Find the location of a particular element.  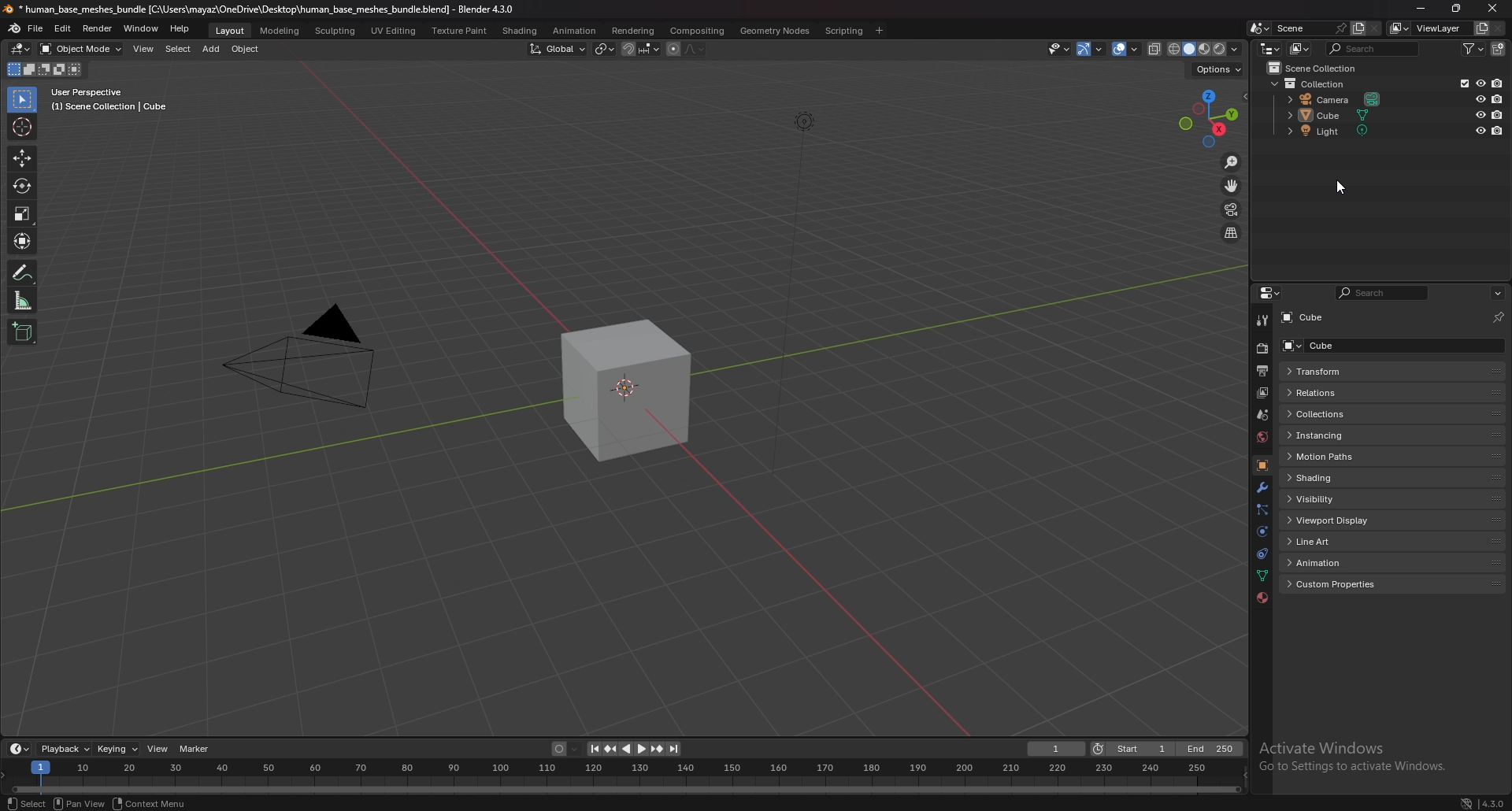

play animation is located at coordinates (635, 749).